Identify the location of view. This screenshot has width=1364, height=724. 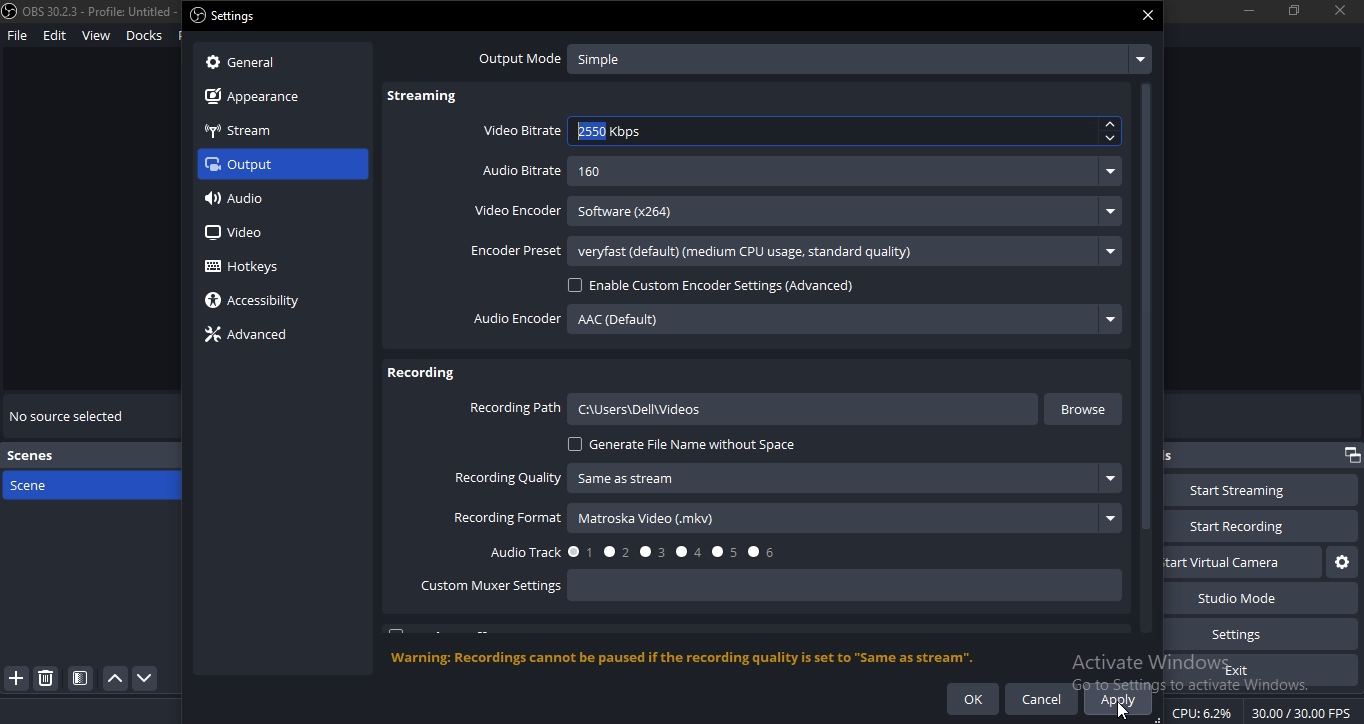
(95, 36).